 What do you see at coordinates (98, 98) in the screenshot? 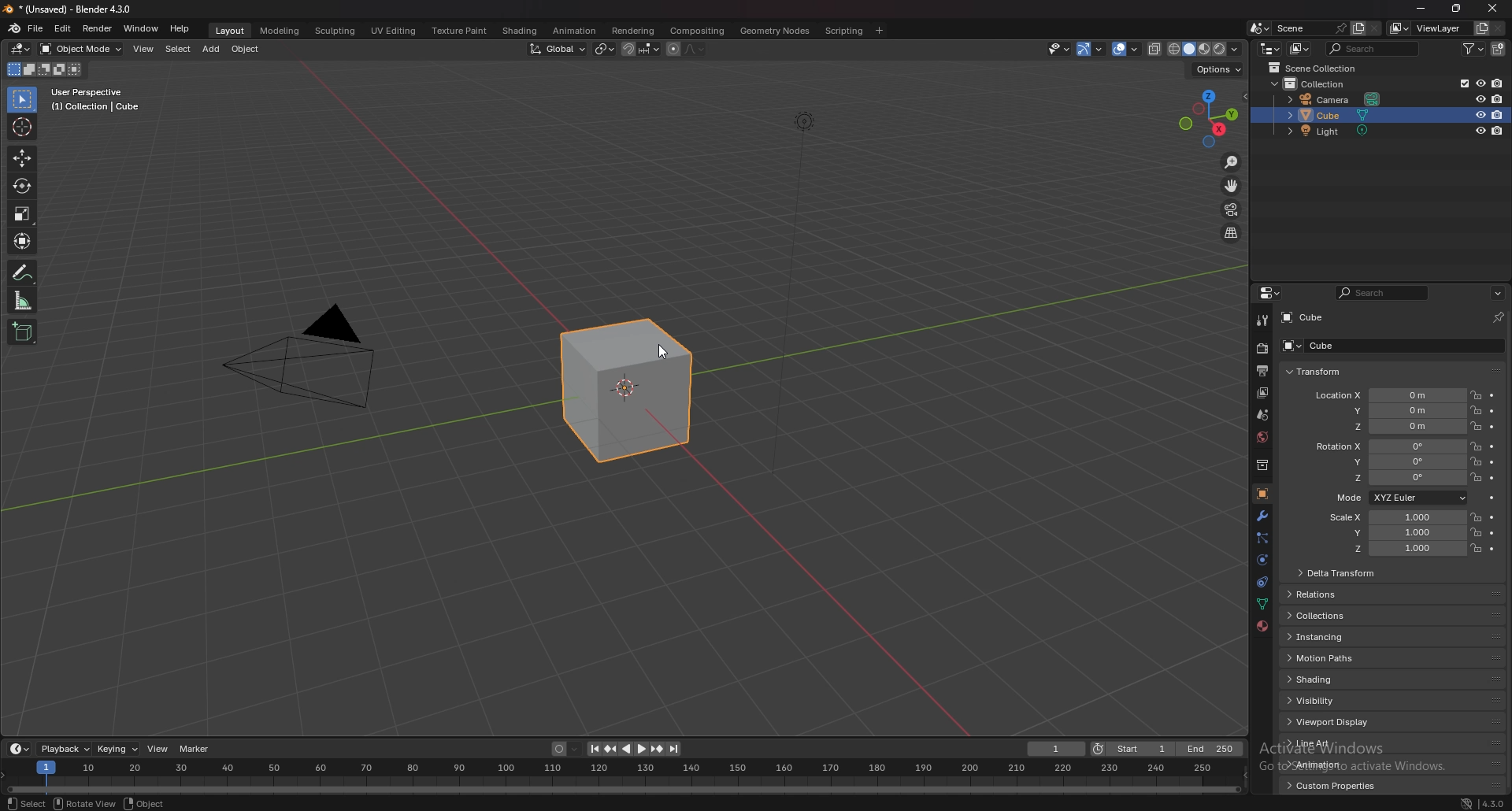
I see `user perspective` at bounding box center [98, 98].